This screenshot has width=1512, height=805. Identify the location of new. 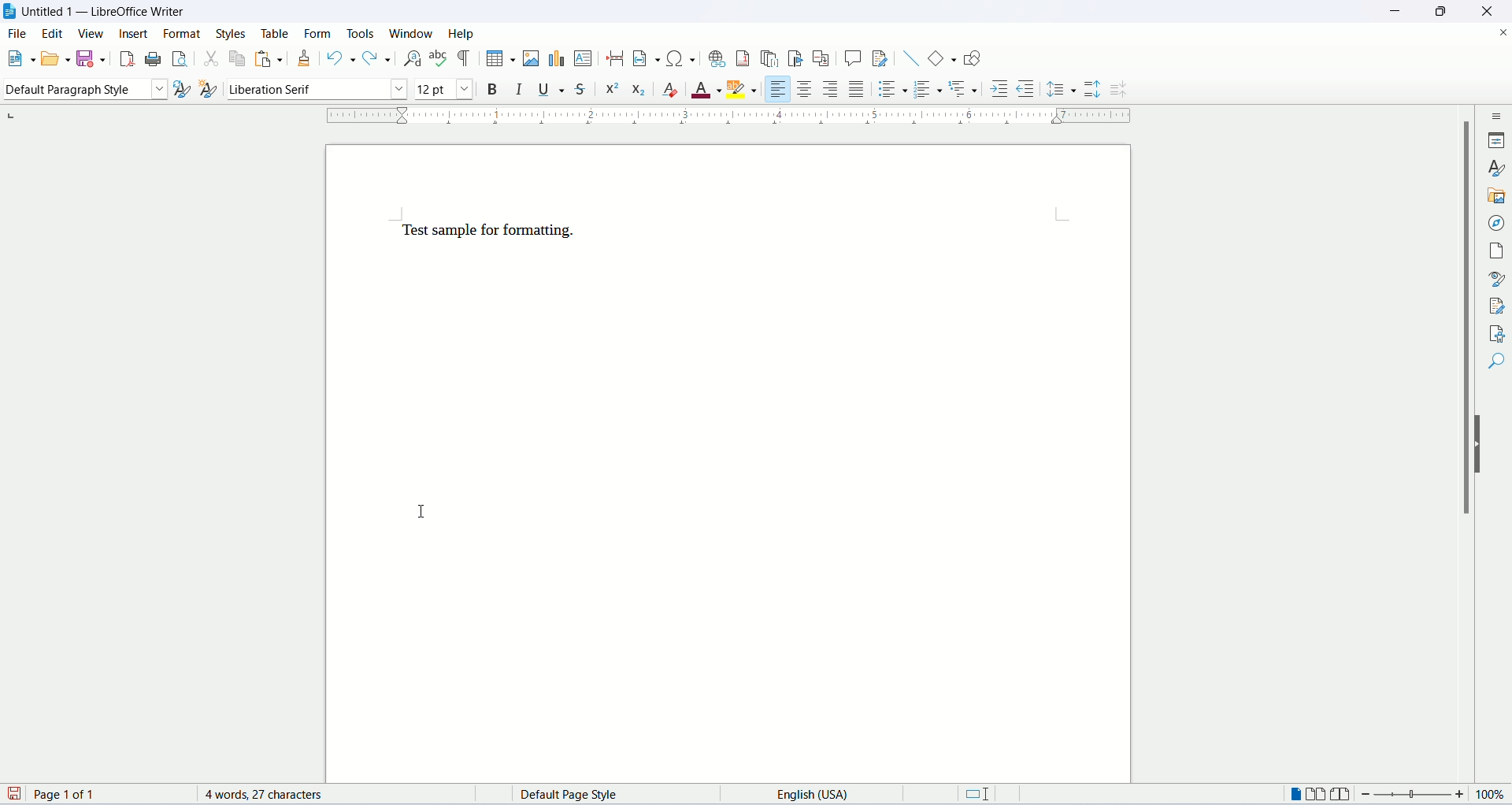
(20, 61).